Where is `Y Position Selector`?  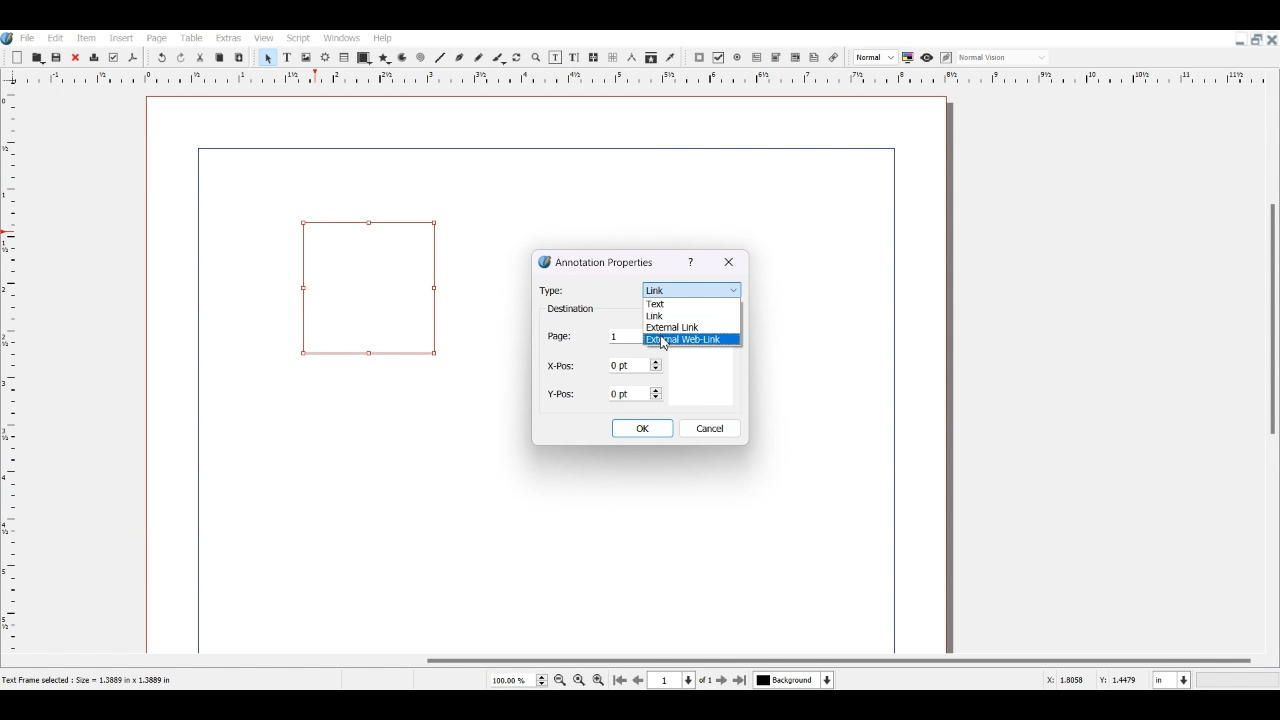
Y Position Selector is located at coordinates (605, 393).